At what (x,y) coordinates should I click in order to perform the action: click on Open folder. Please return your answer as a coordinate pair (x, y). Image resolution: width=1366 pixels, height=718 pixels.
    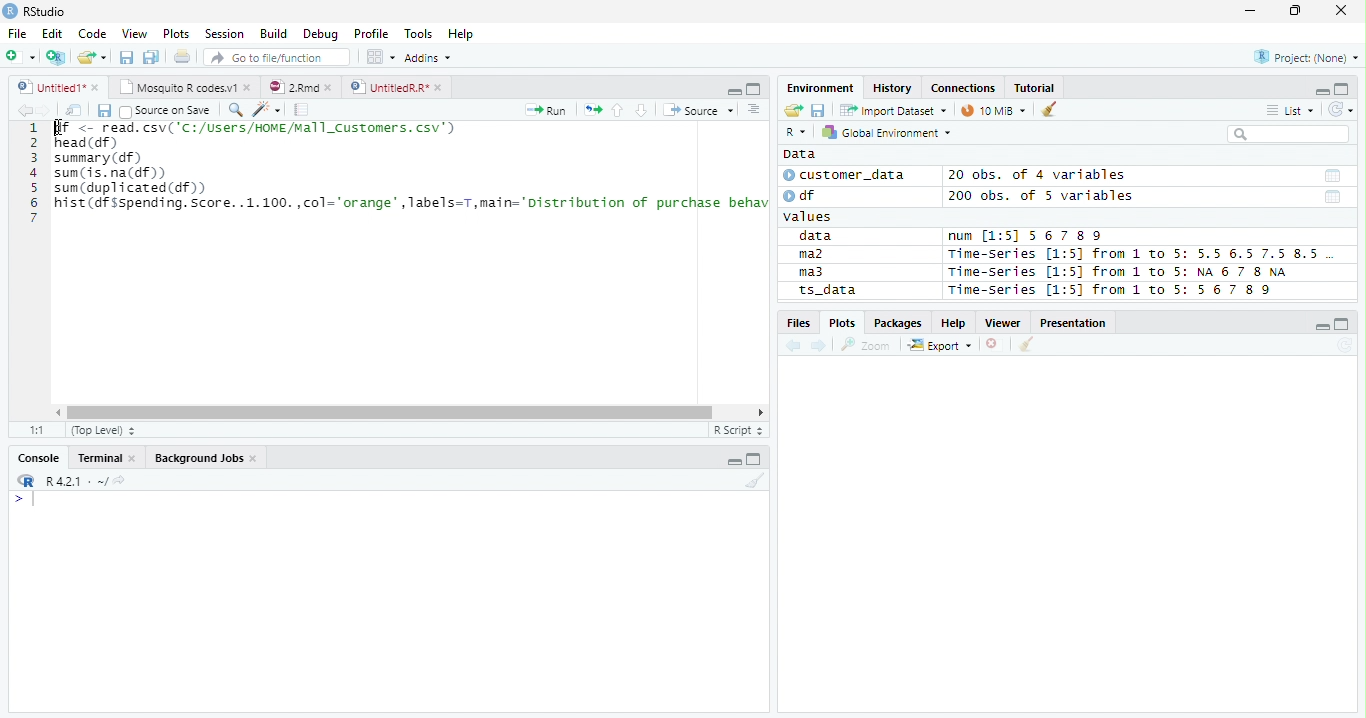
    Looking at the image, I should click on (791, 111).